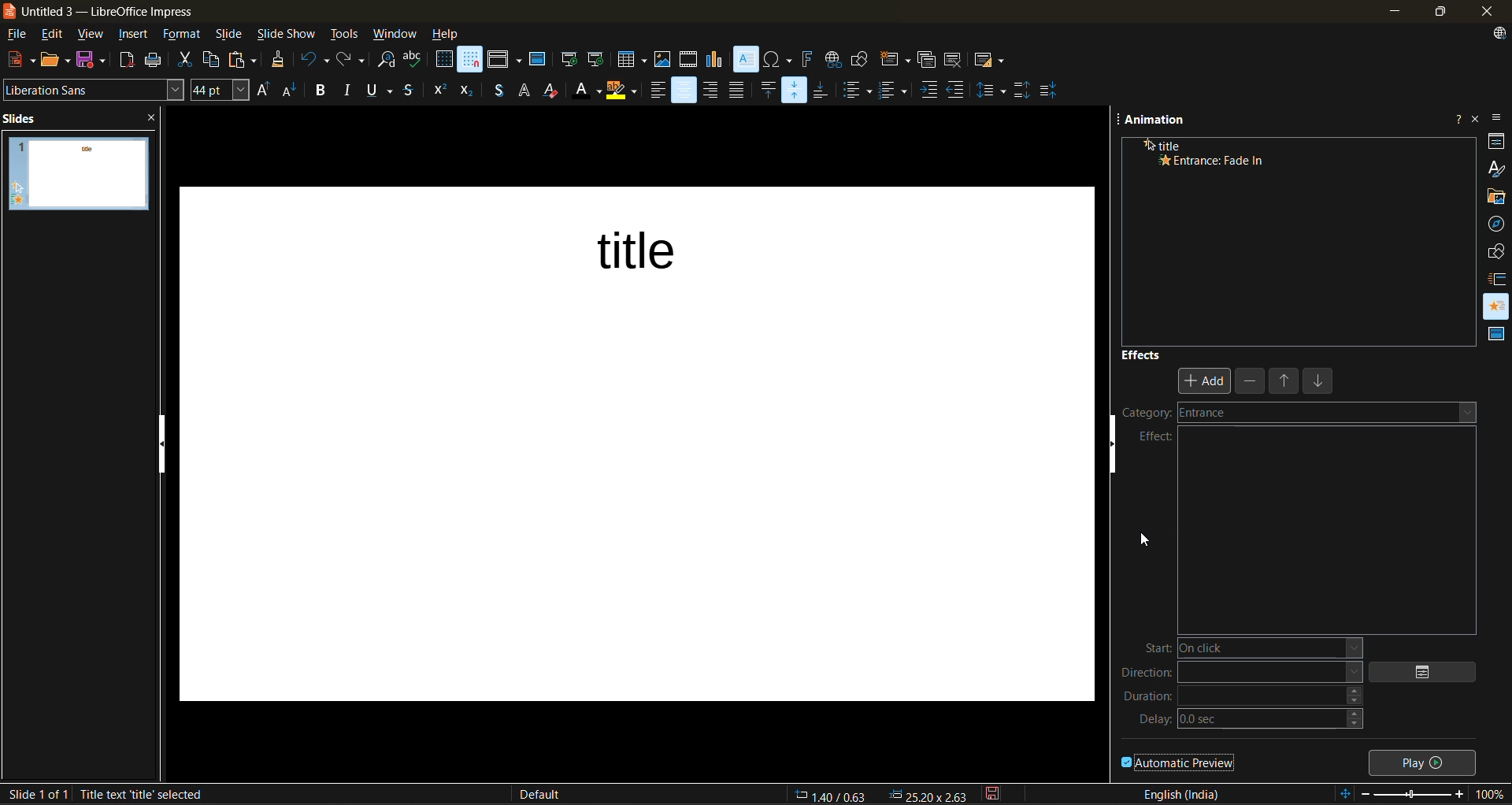 This screenshot has height=805, width=1512. What do you see at coordinates (1497, 197) in the screenshot?
I see `gallery` at bounding box center [1497, 197].